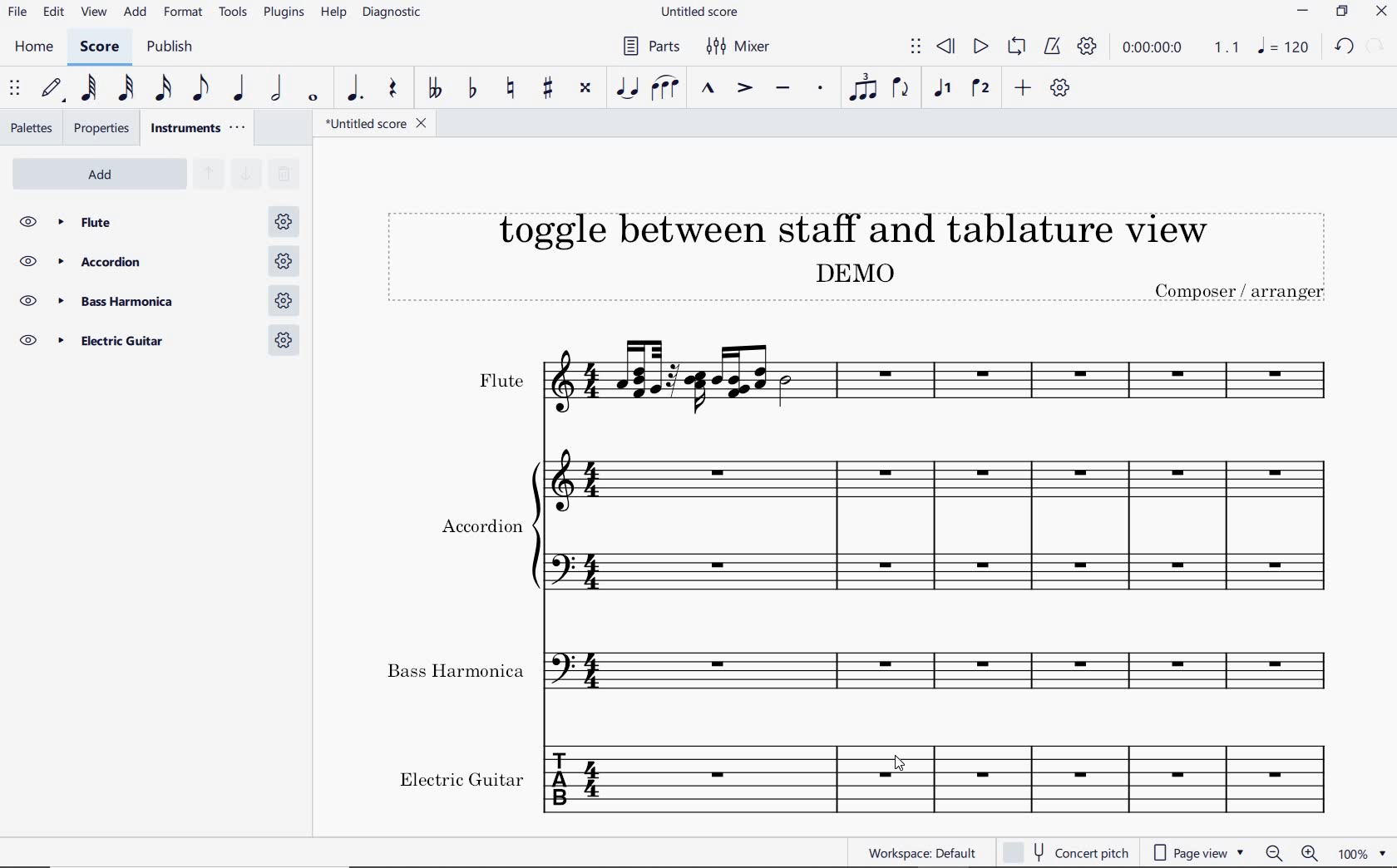 The image size is (1397, 868). What do you see at coordinates (1052, 47) in the screenshot?
I see `metronome` at bounding box center [1052, 47].